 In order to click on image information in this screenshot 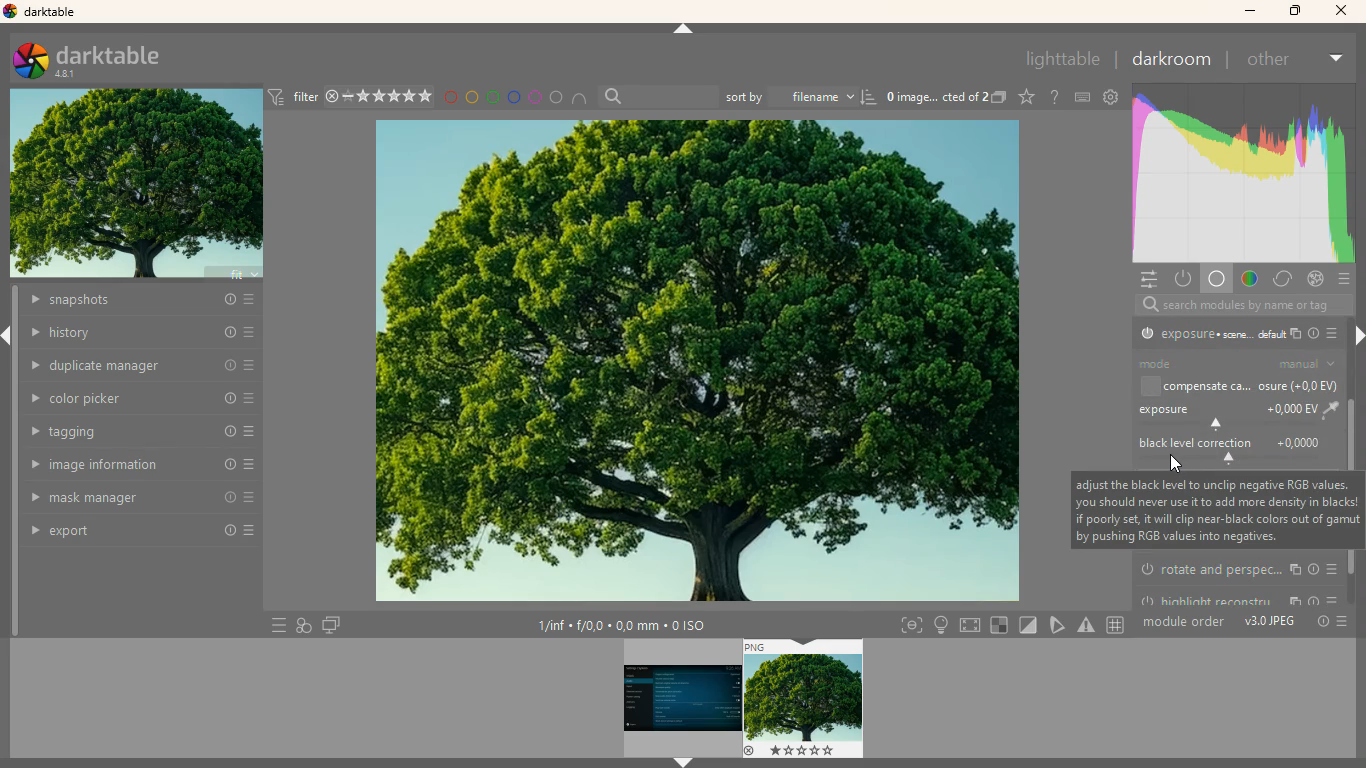, I will do `click(139, 466)`.